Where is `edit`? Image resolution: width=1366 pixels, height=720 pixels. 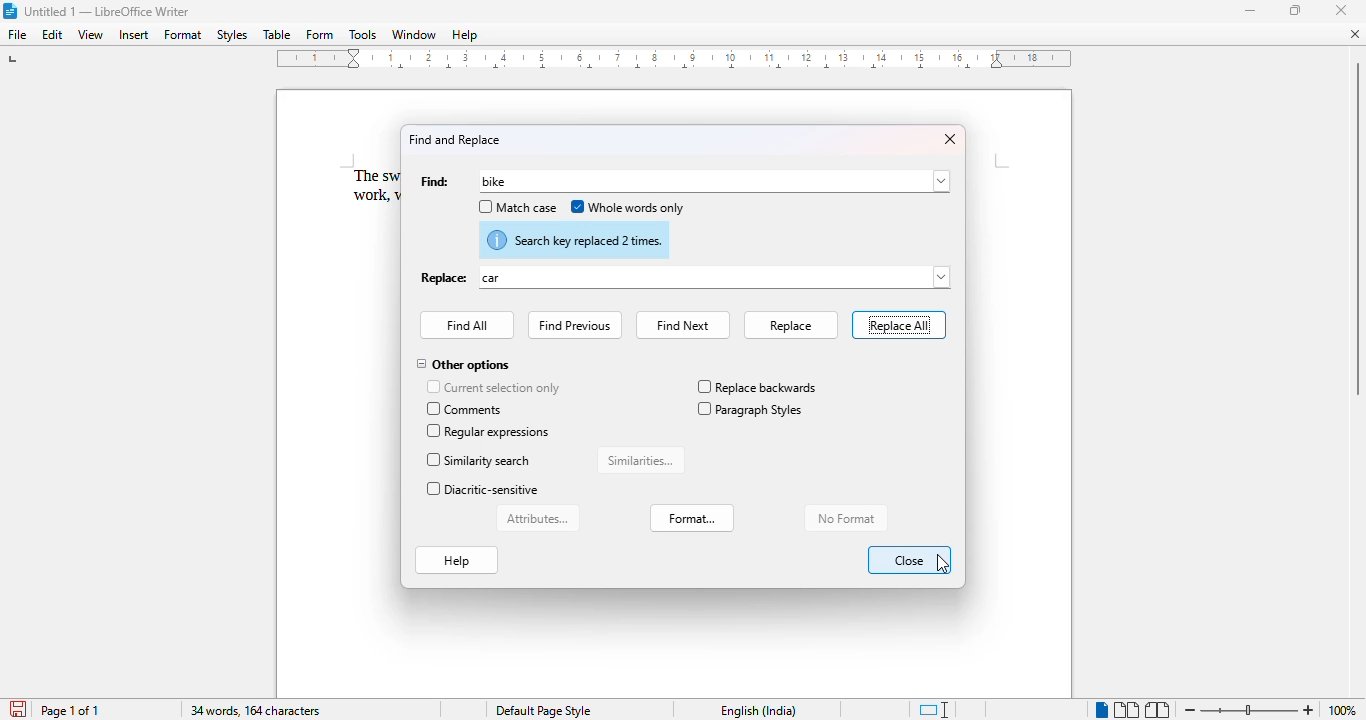
edit is located at coordinates (53, 34).